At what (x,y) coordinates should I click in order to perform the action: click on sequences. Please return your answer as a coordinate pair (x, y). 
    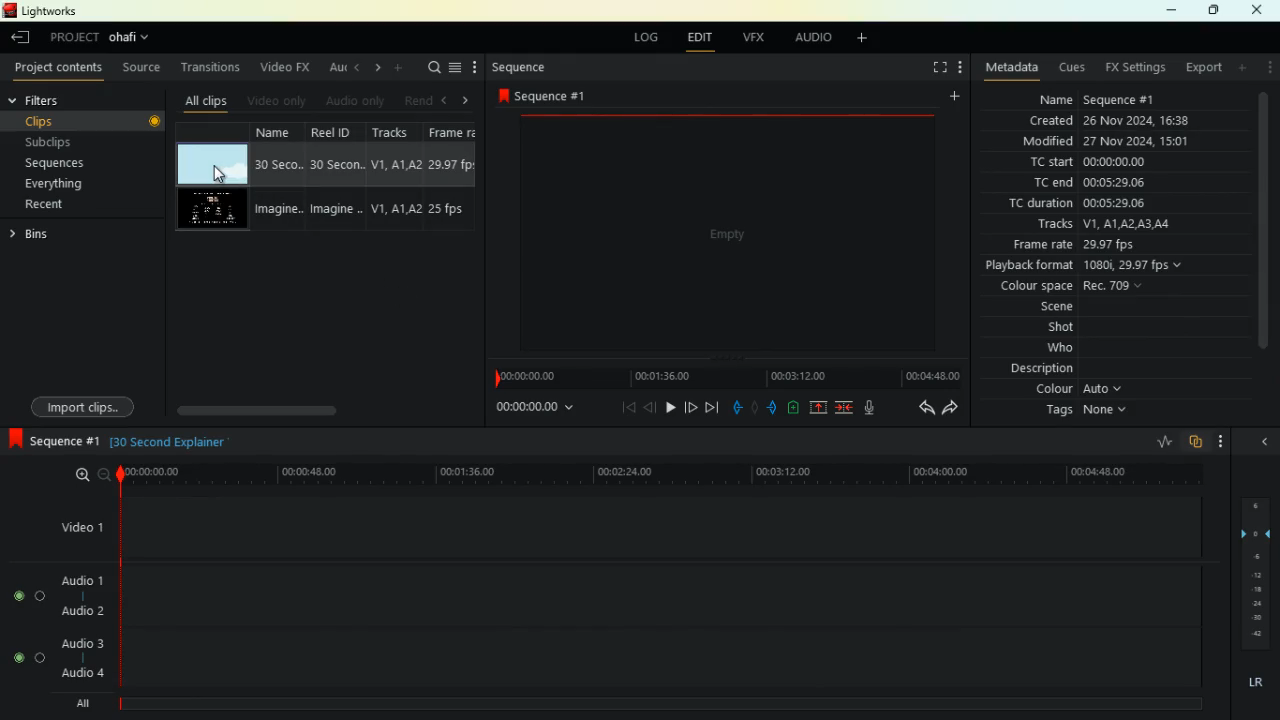
    Looking at the image, I should click on (63, 165).